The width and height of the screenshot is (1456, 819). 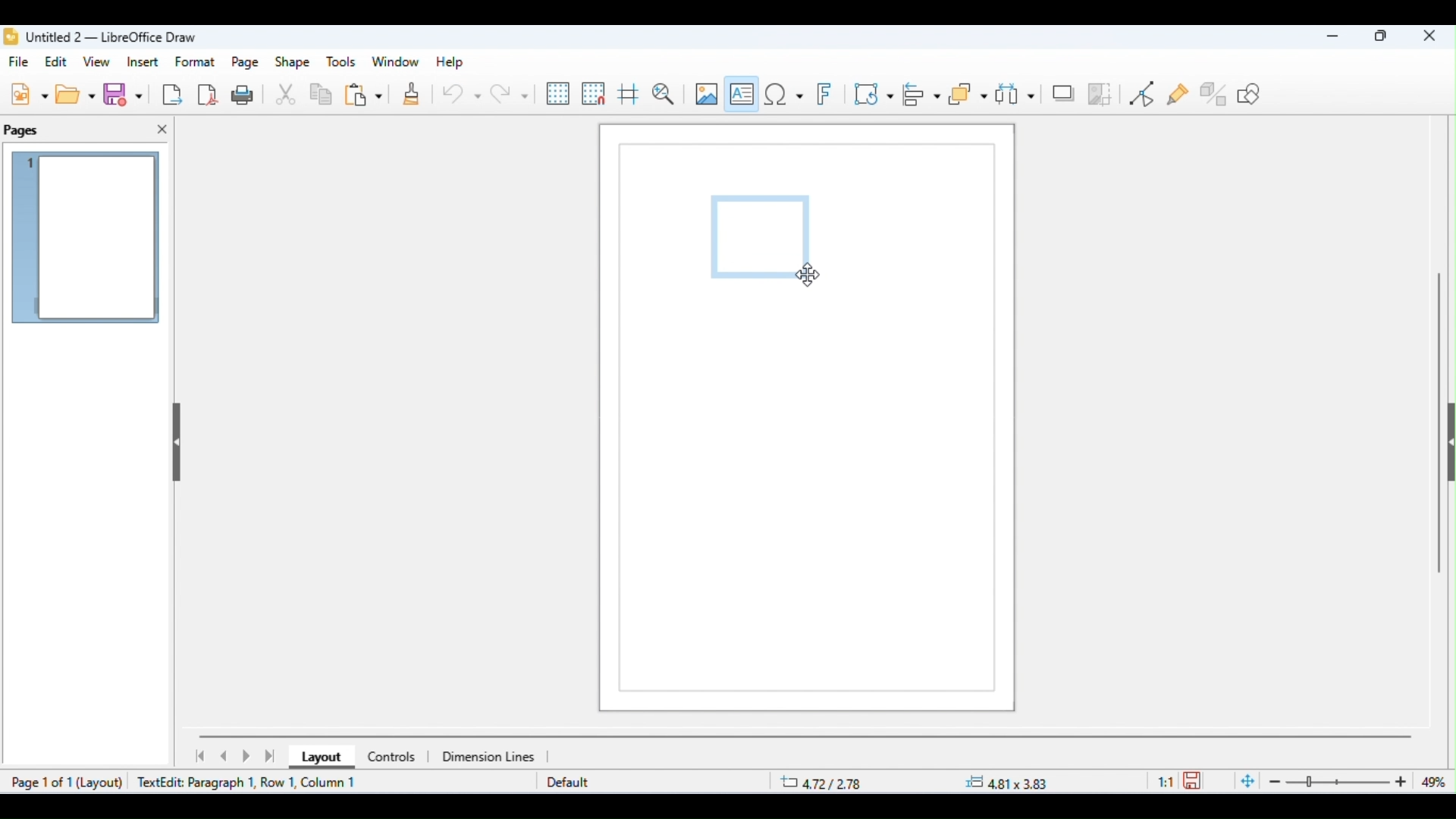 I want to click on zoom and pan, so click(x=664, y=94).